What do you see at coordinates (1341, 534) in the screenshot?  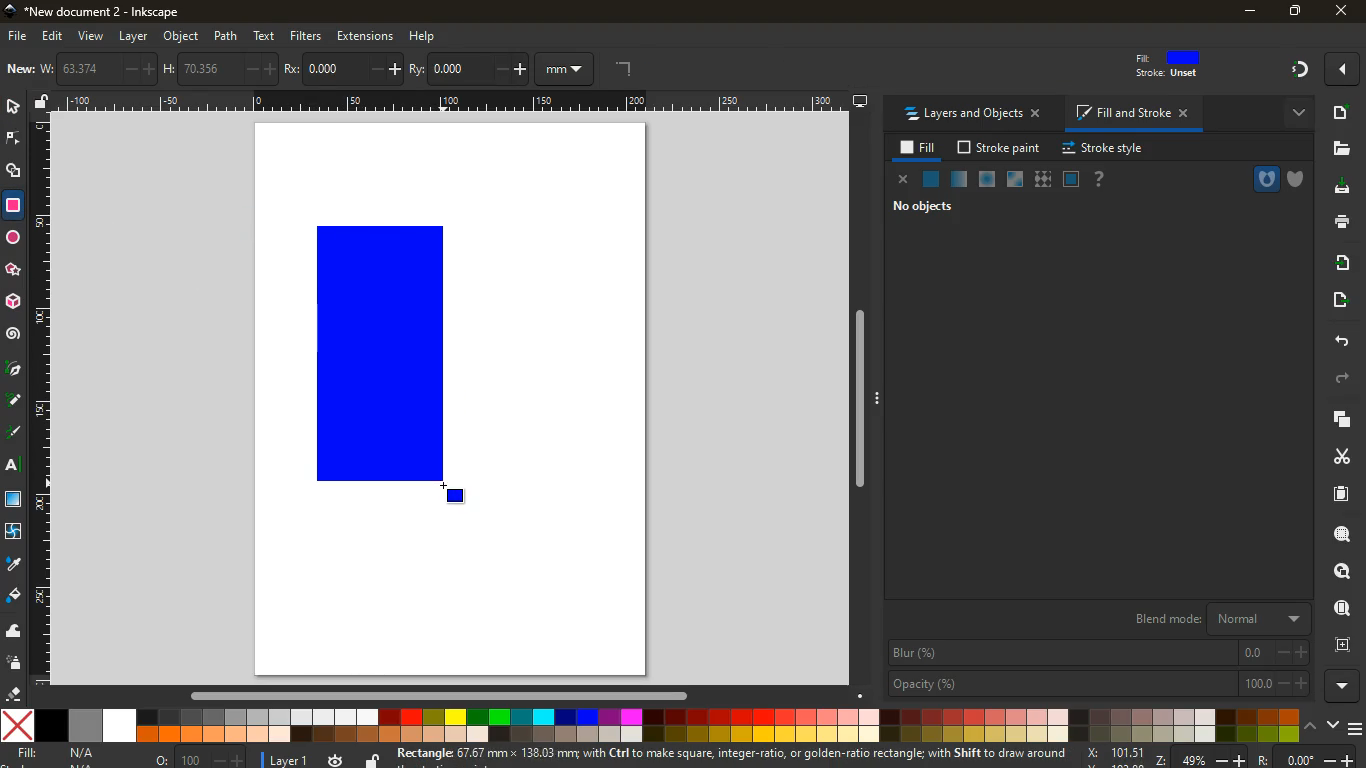 I see `search` at bounding box center [1341, 534].